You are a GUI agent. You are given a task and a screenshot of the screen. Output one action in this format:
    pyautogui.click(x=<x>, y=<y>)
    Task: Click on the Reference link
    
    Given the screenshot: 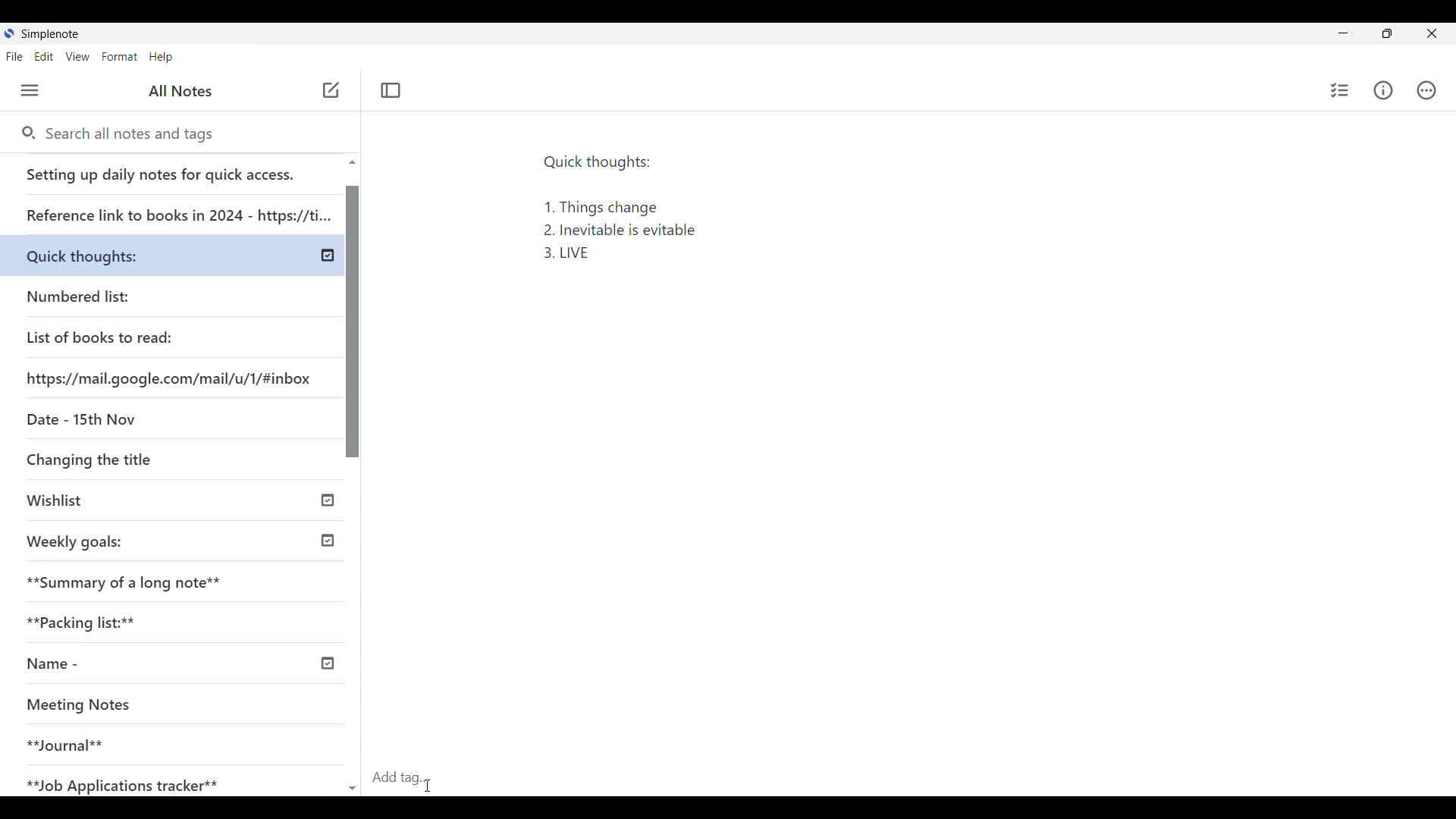 What is the action you would take?
    pyautogui.click(x=177, y=209)
    